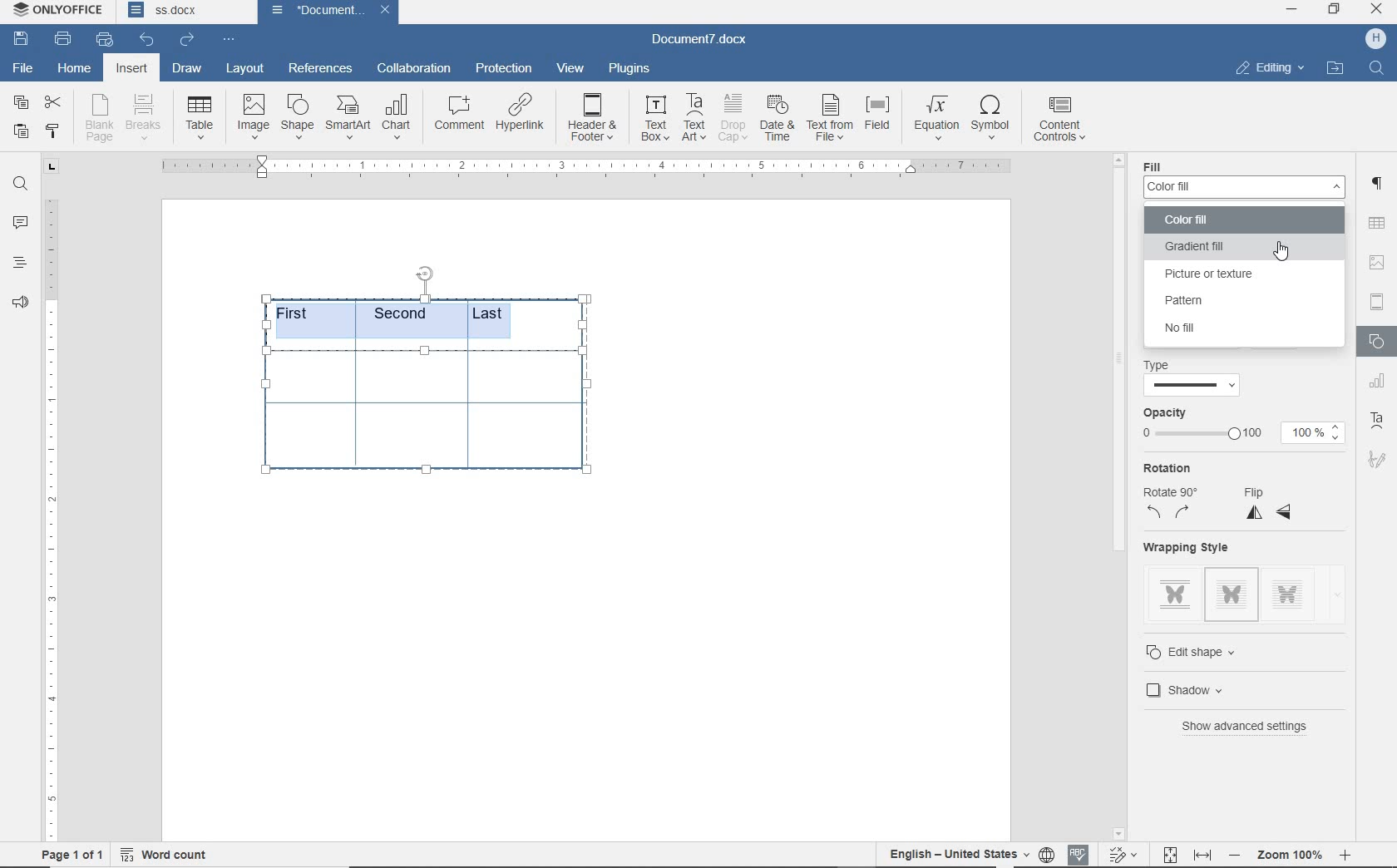 Image resolution: width=1397 pixels, height=868 pixels. What do you see at coordinates (69, 852) in the screenshot?
I see `page 1 of 1` at bounding box center [69, 852].